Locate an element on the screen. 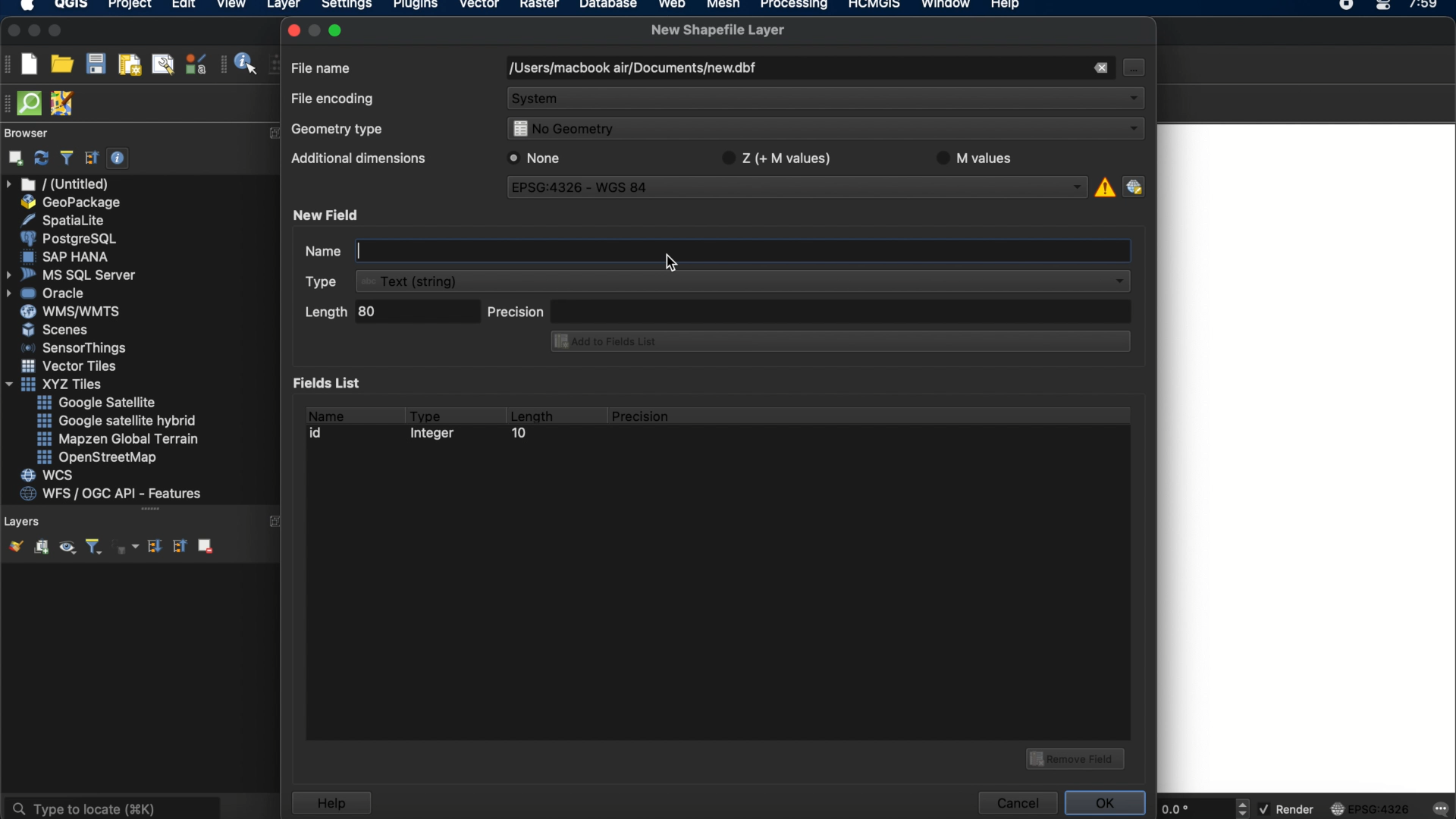 This screenshot has width=1456, height=819. toggle buttons is located at coordinates (1244, 808).